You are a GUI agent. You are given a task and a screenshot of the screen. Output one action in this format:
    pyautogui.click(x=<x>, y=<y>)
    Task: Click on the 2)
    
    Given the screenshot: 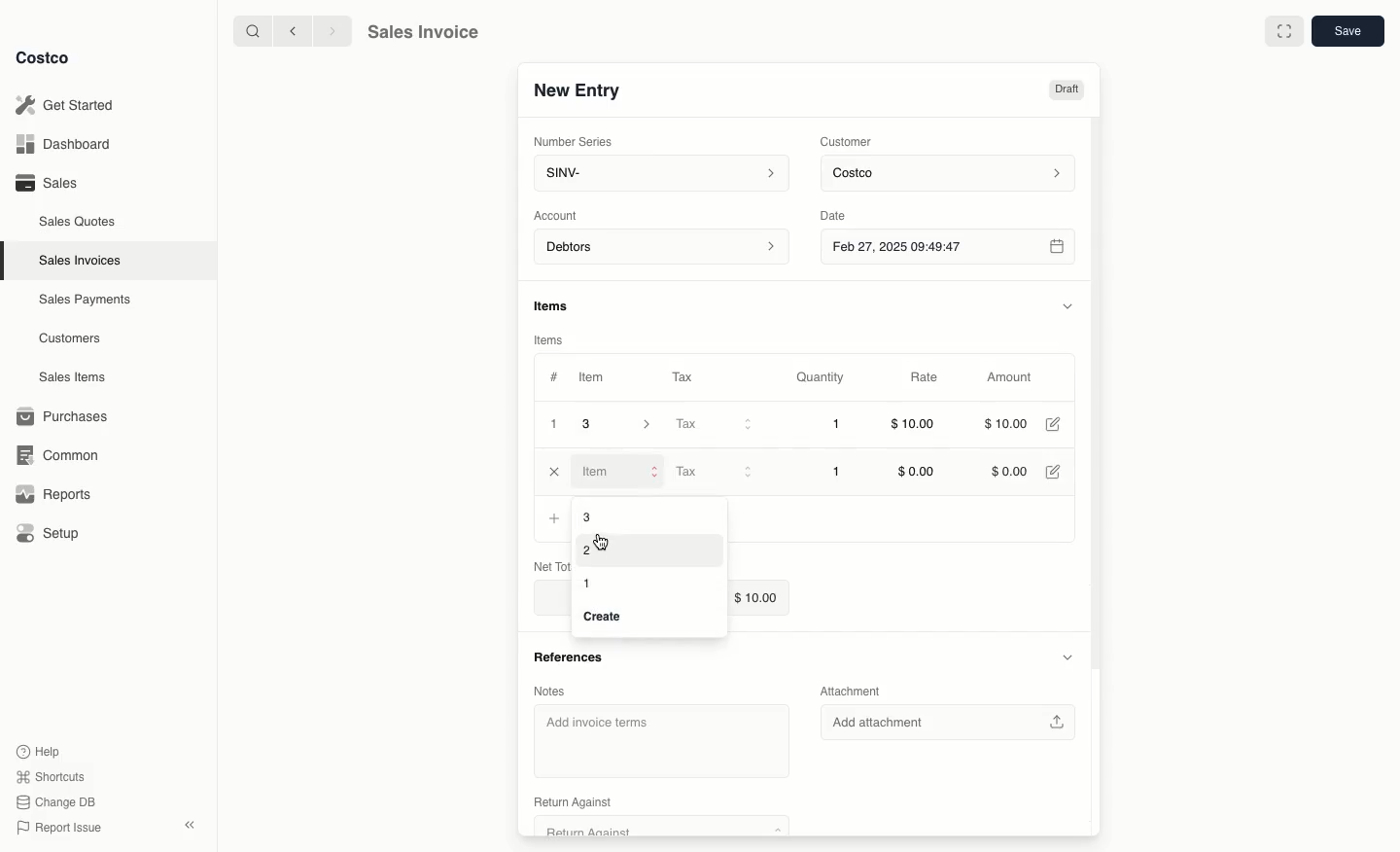 What is the action you would take?
    pyautogui.click(x=589, y=552)
    